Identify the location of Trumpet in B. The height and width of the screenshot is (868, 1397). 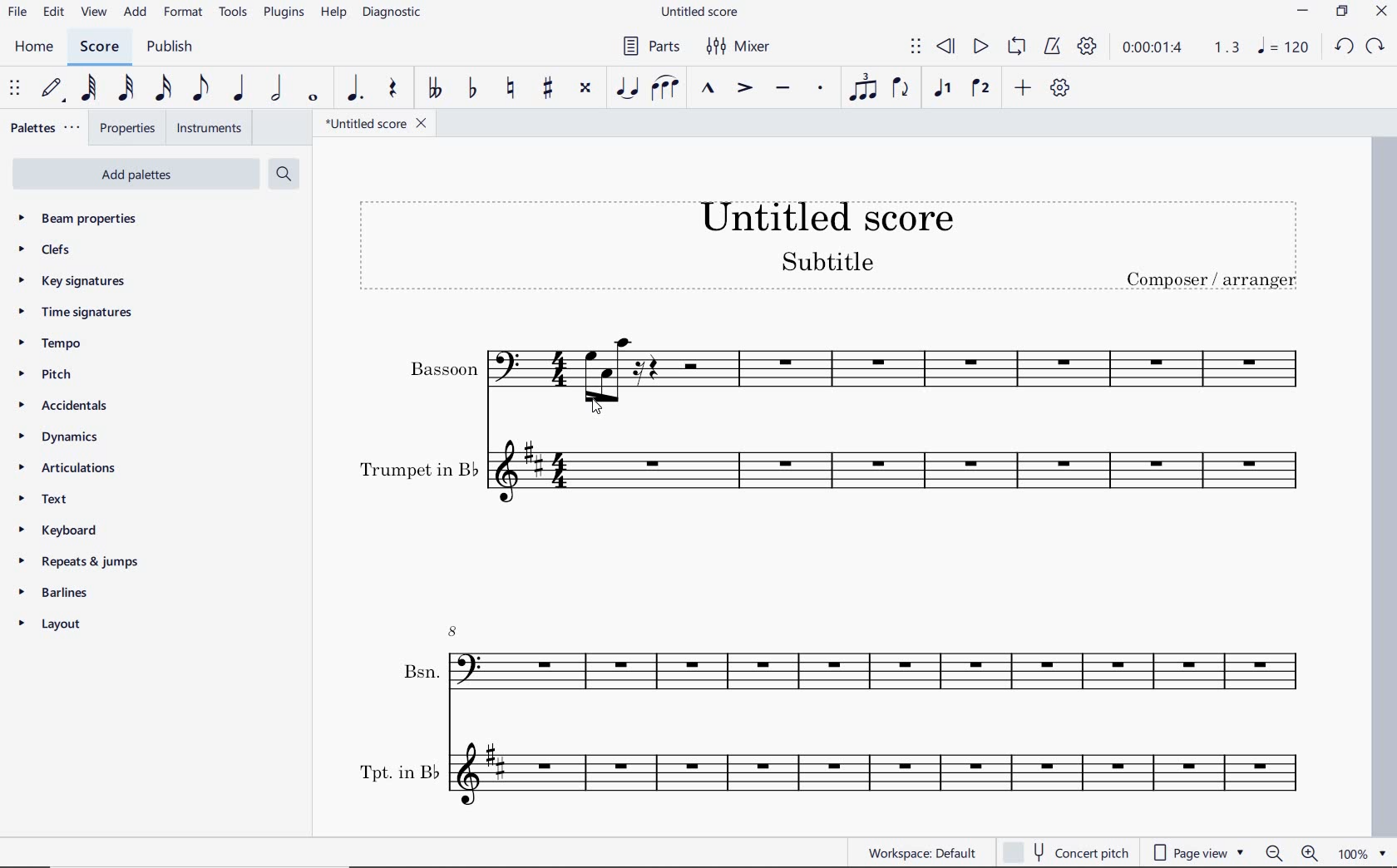
(840, 483).